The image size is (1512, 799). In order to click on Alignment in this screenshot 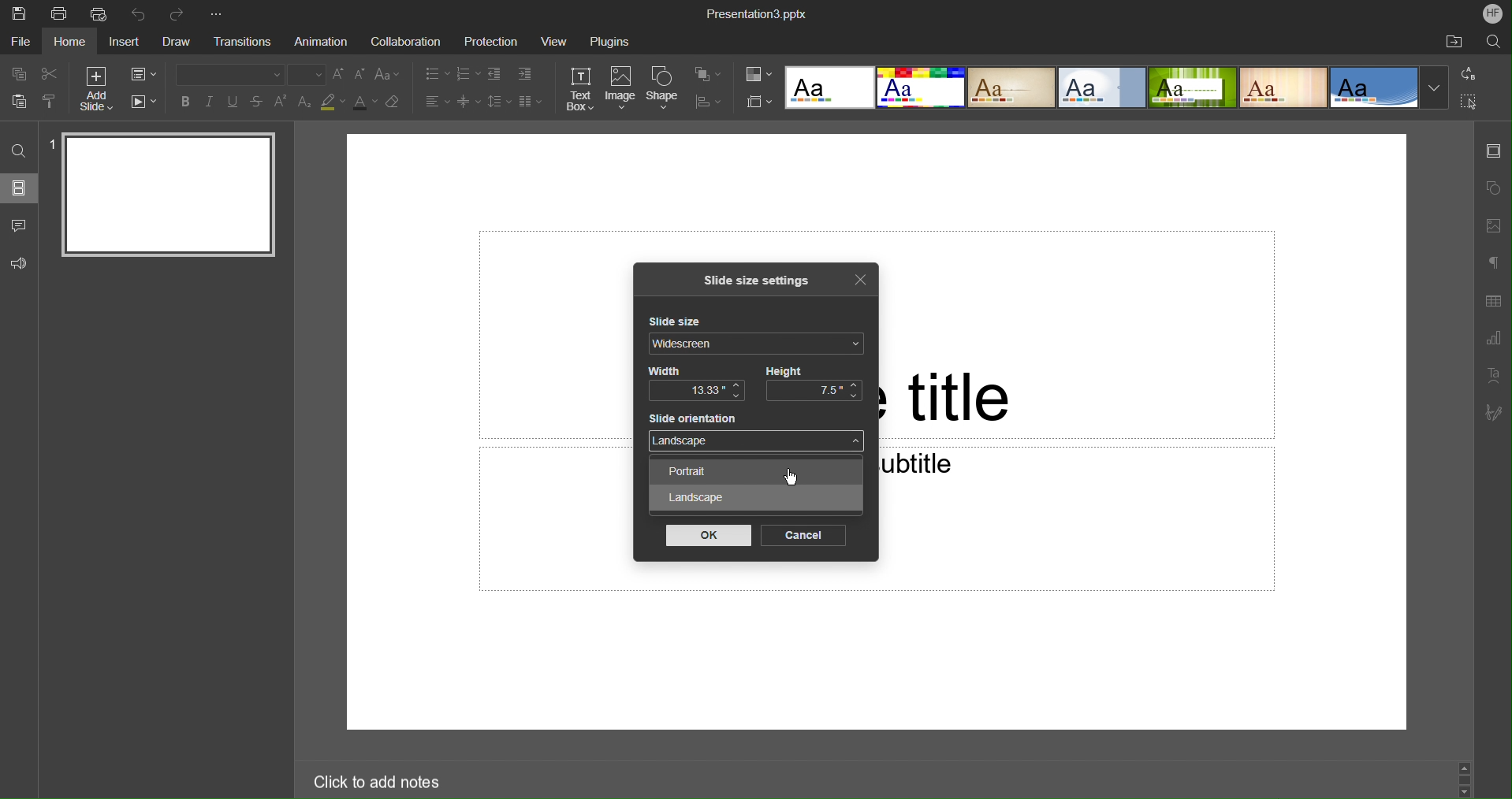, I will do `click(436, 101)`.